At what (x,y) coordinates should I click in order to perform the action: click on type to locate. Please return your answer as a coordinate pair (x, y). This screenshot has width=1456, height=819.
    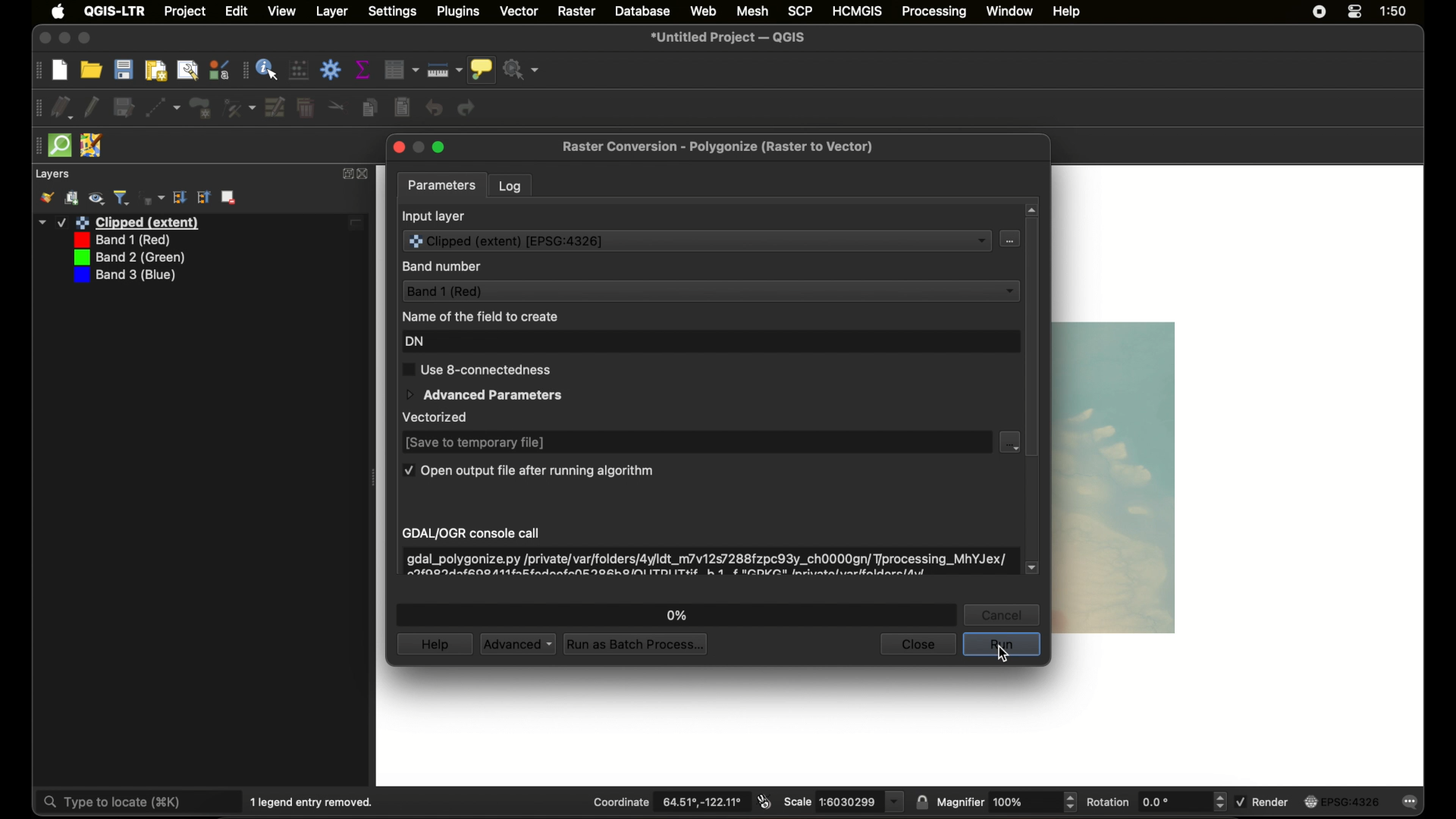
    Looking at the image, I should click on (138, 801).